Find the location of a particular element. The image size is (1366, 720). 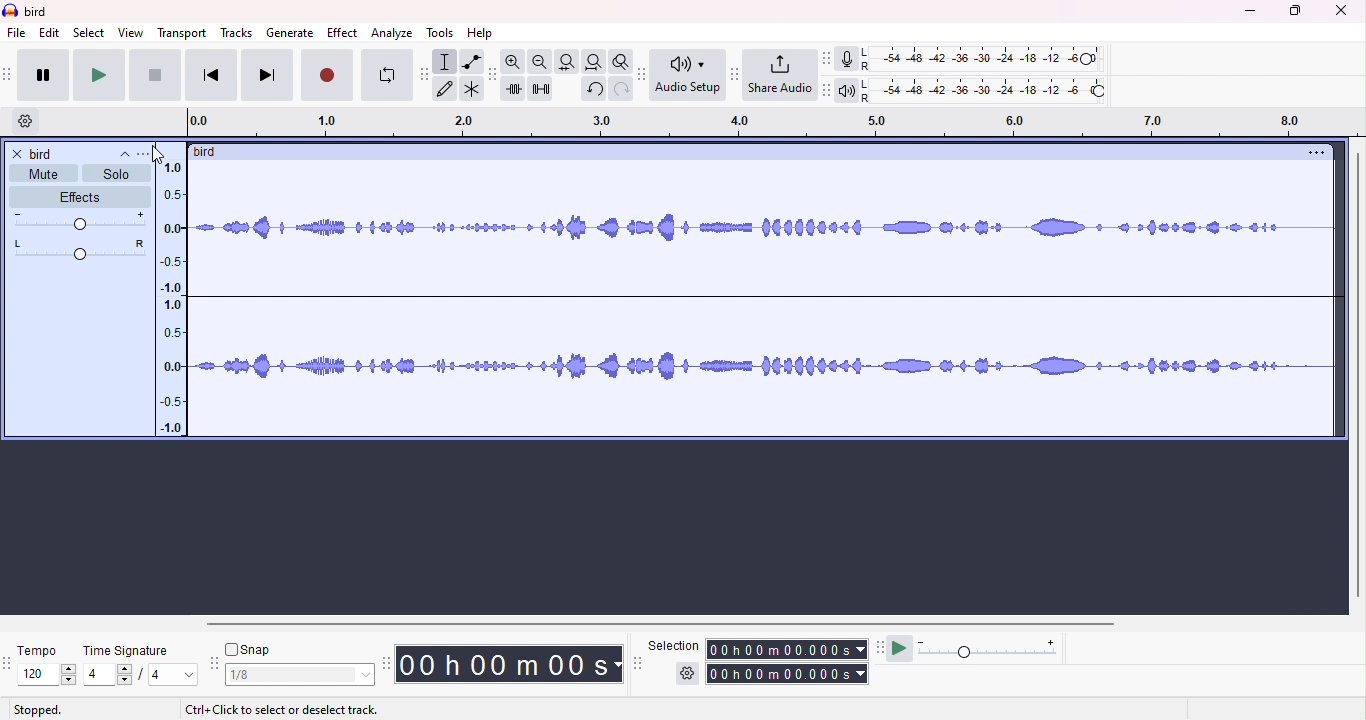

options is located at coordinates (1311, 154).